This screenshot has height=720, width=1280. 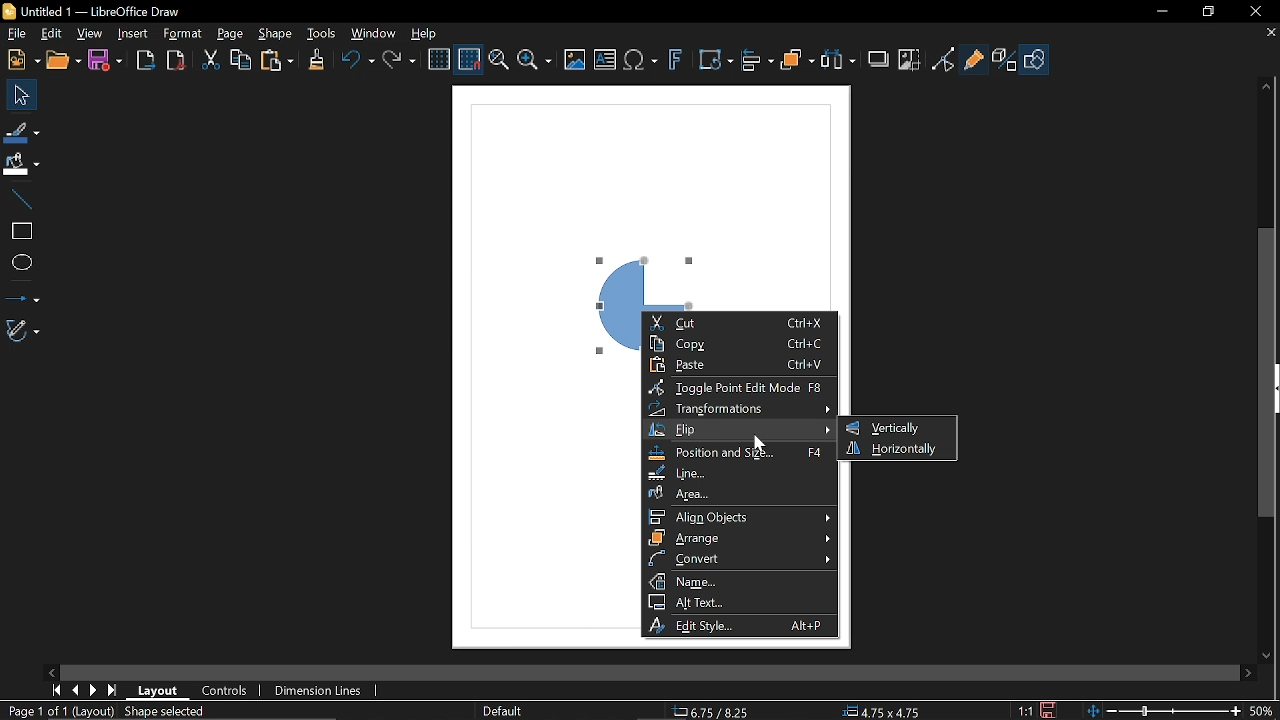 What do you see at coordinates (1268, 654) in the screenshot?
I see `Move down` at bounding box center [1268, 654].